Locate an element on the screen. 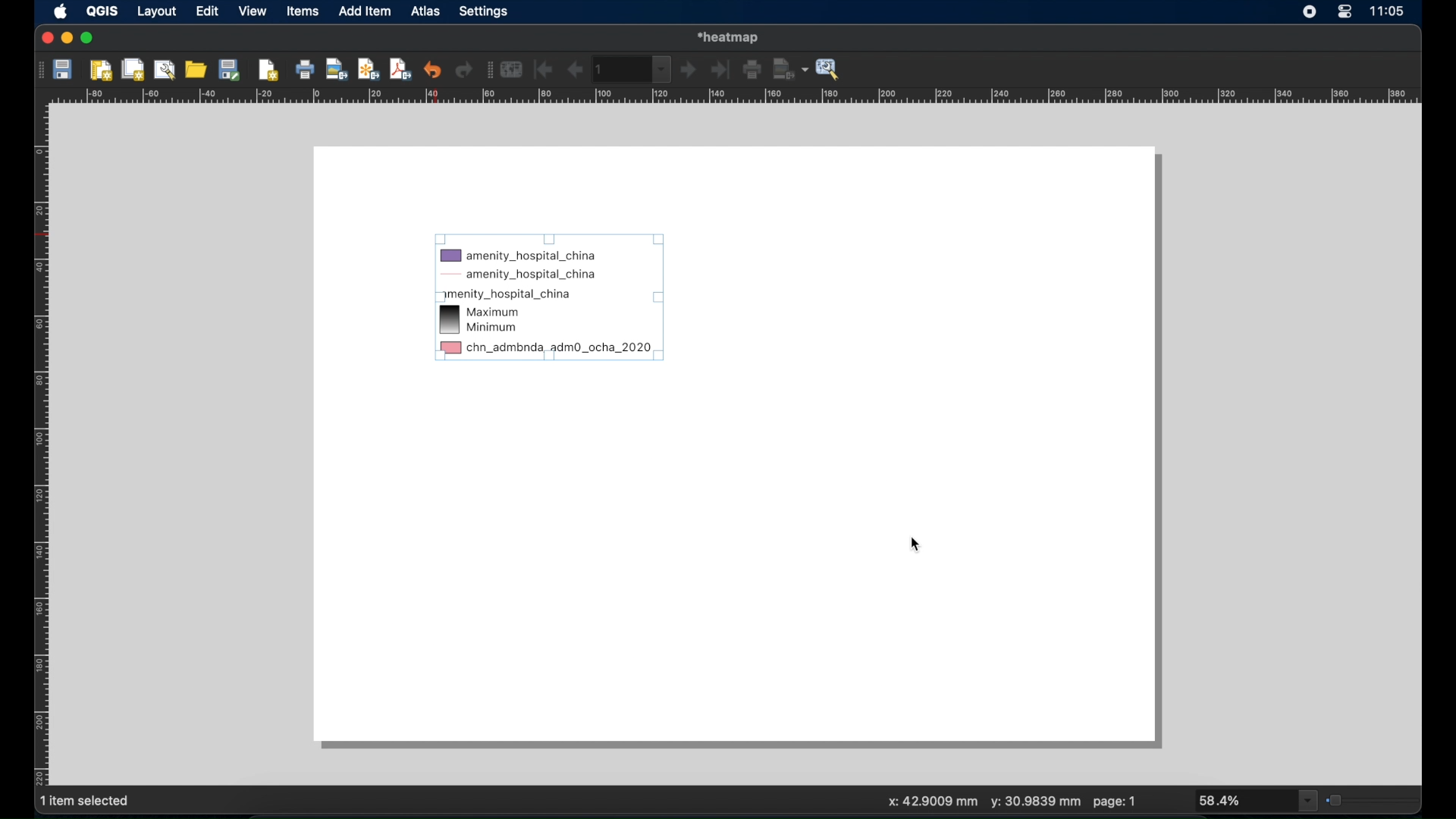 This screenshot has width=1456, height=819. last image is located at coordinates (723, 71).